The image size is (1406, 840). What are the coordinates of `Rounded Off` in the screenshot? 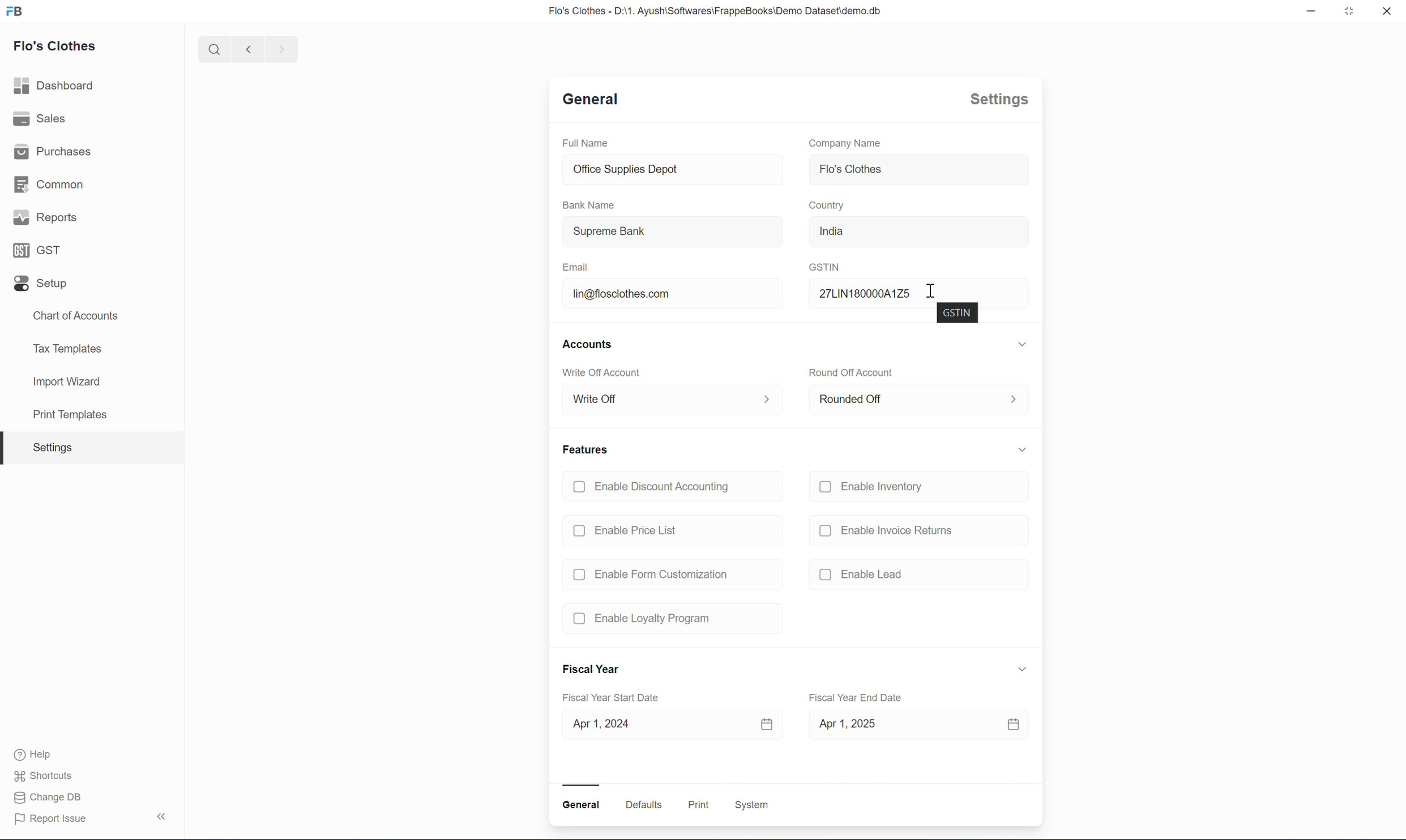 It's located at (918, 400).